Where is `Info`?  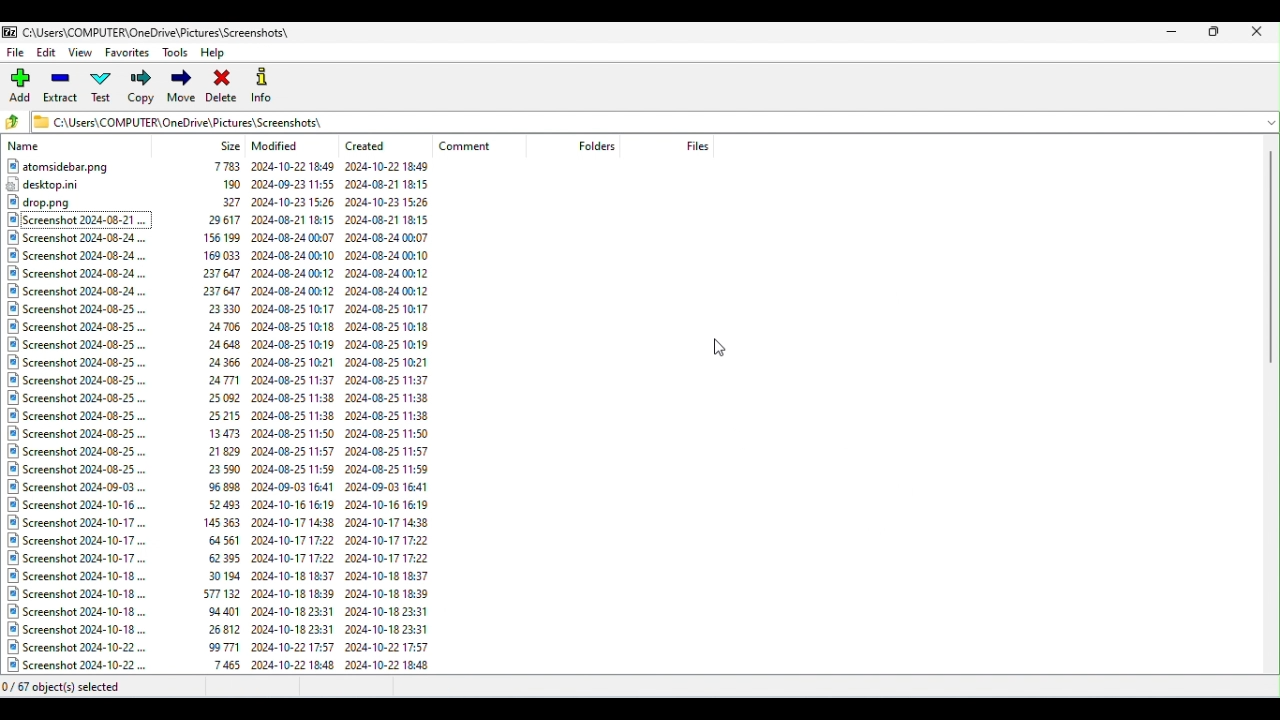 Info is located at coordinates (264, 84).